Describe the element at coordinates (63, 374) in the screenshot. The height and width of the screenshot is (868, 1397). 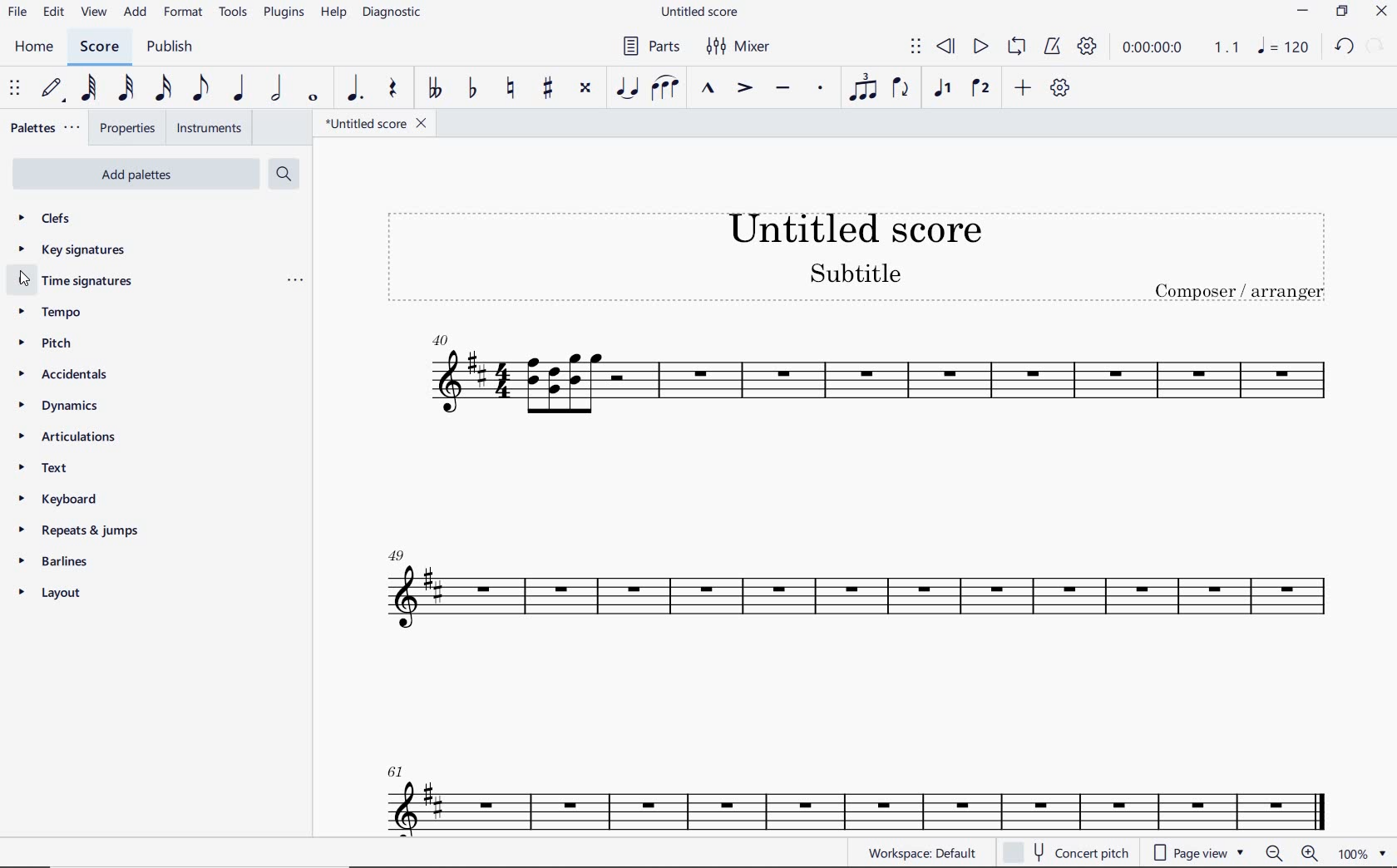
I see `ACCIDENTALS` at that location.